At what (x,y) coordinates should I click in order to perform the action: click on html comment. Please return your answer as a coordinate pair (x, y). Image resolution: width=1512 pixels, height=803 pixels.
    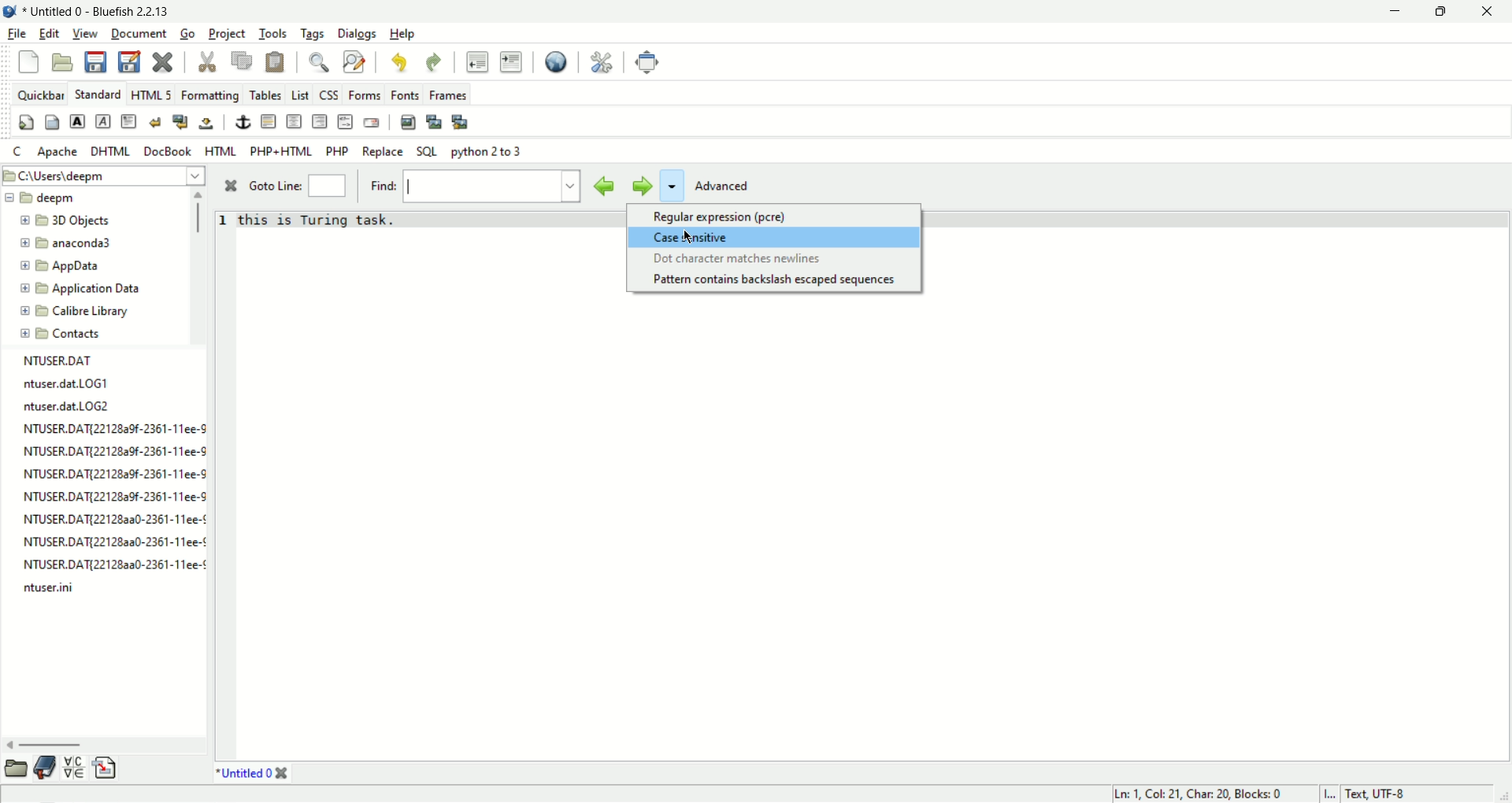
    Looking at the image, I should click on (346, 121).